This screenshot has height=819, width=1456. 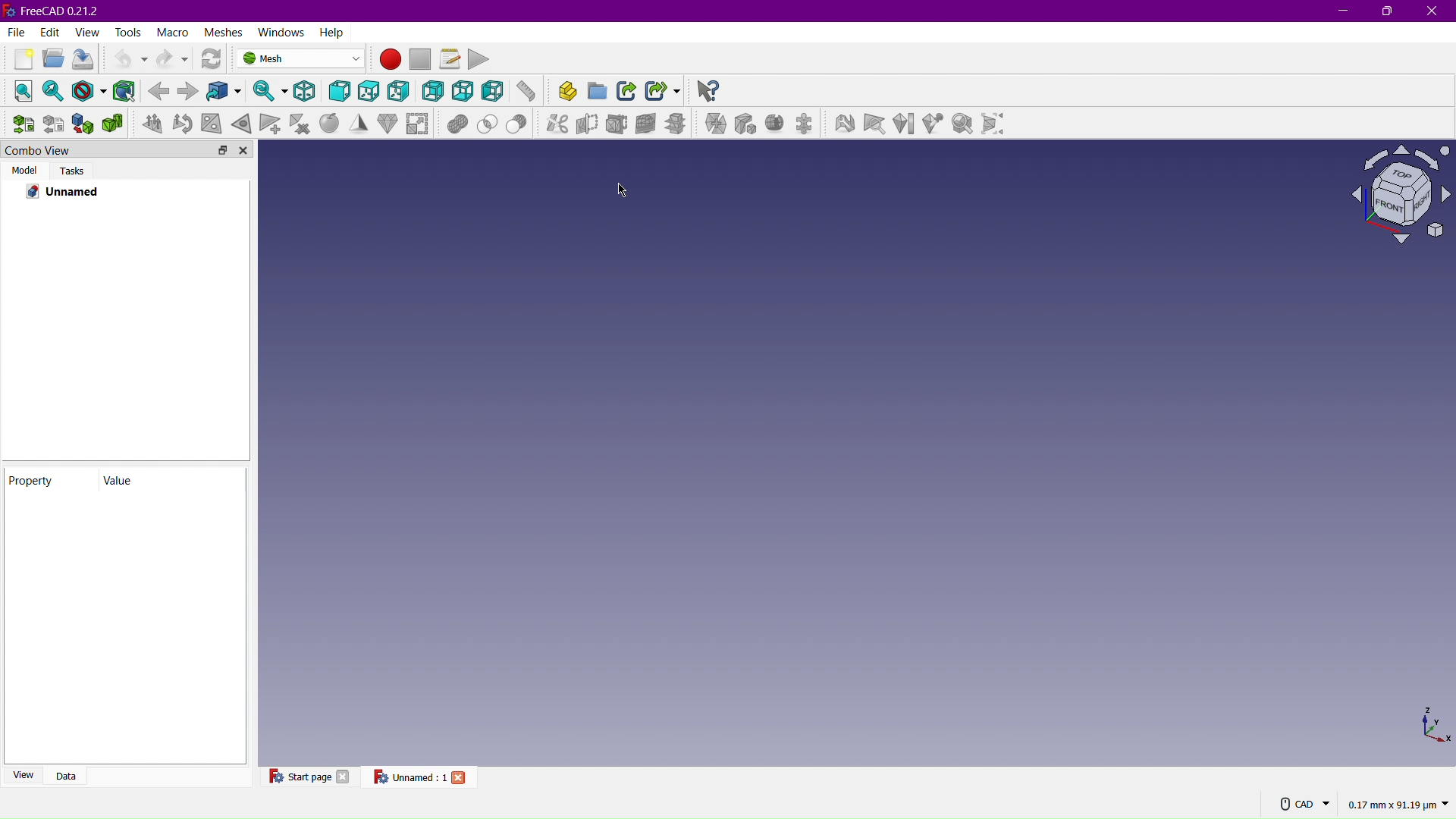 What do you see at coordinates (777, 125) in the screenshot?
I see `Create mesh segments` at bounding box center [777, 125].